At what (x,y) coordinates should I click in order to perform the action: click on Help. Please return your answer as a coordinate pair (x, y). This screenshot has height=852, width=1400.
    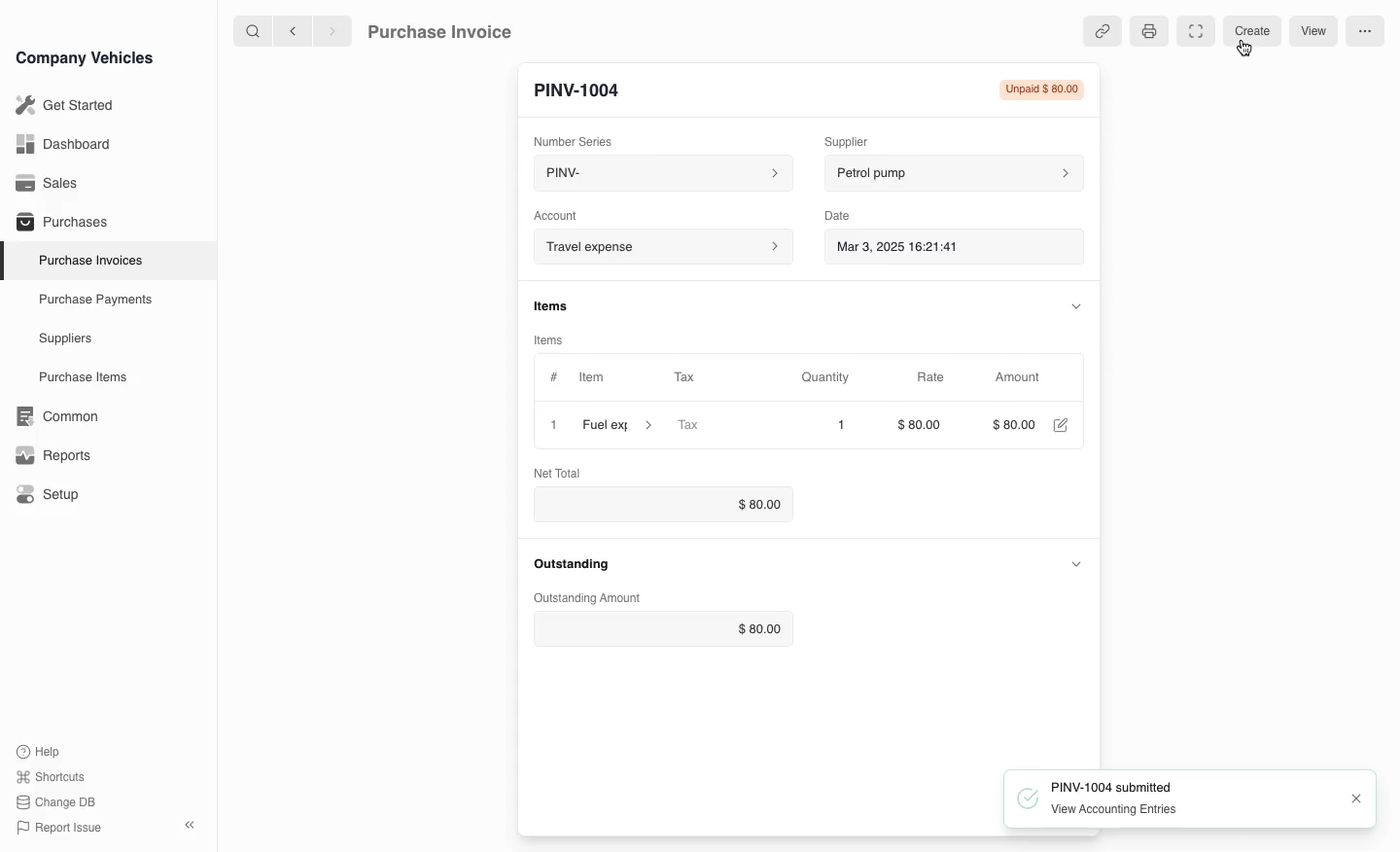
    Looking at the image, I should click on (43, 751).